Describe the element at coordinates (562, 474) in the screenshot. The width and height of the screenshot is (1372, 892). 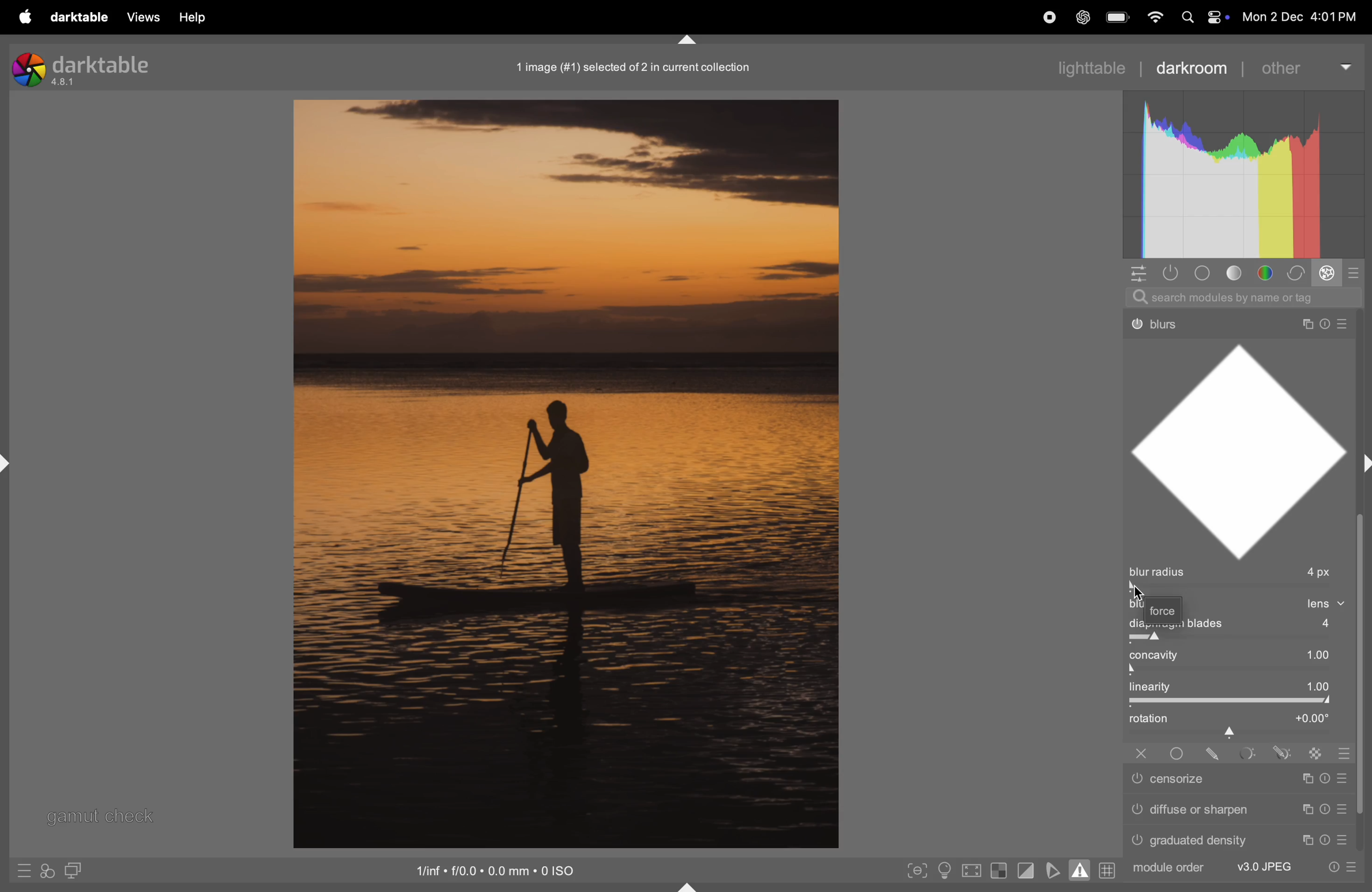
I see `image` at that location.